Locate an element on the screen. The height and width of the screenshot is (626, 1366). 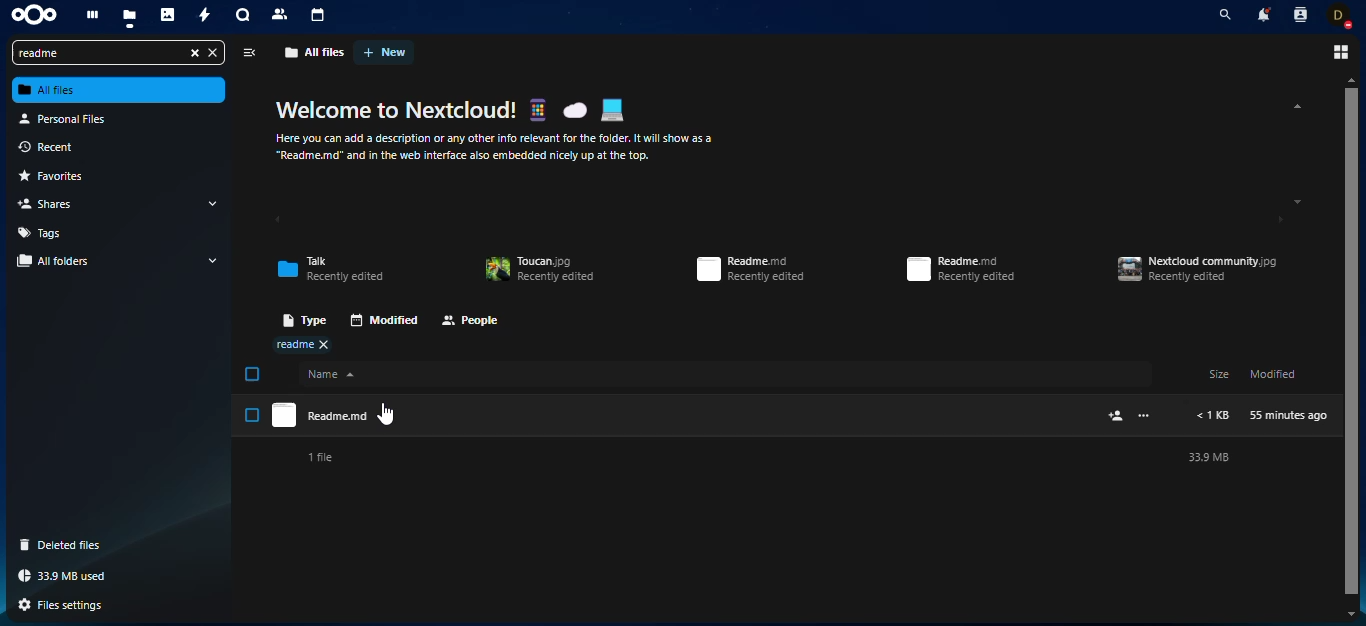
dashboard is located at coordinates (91, 16).